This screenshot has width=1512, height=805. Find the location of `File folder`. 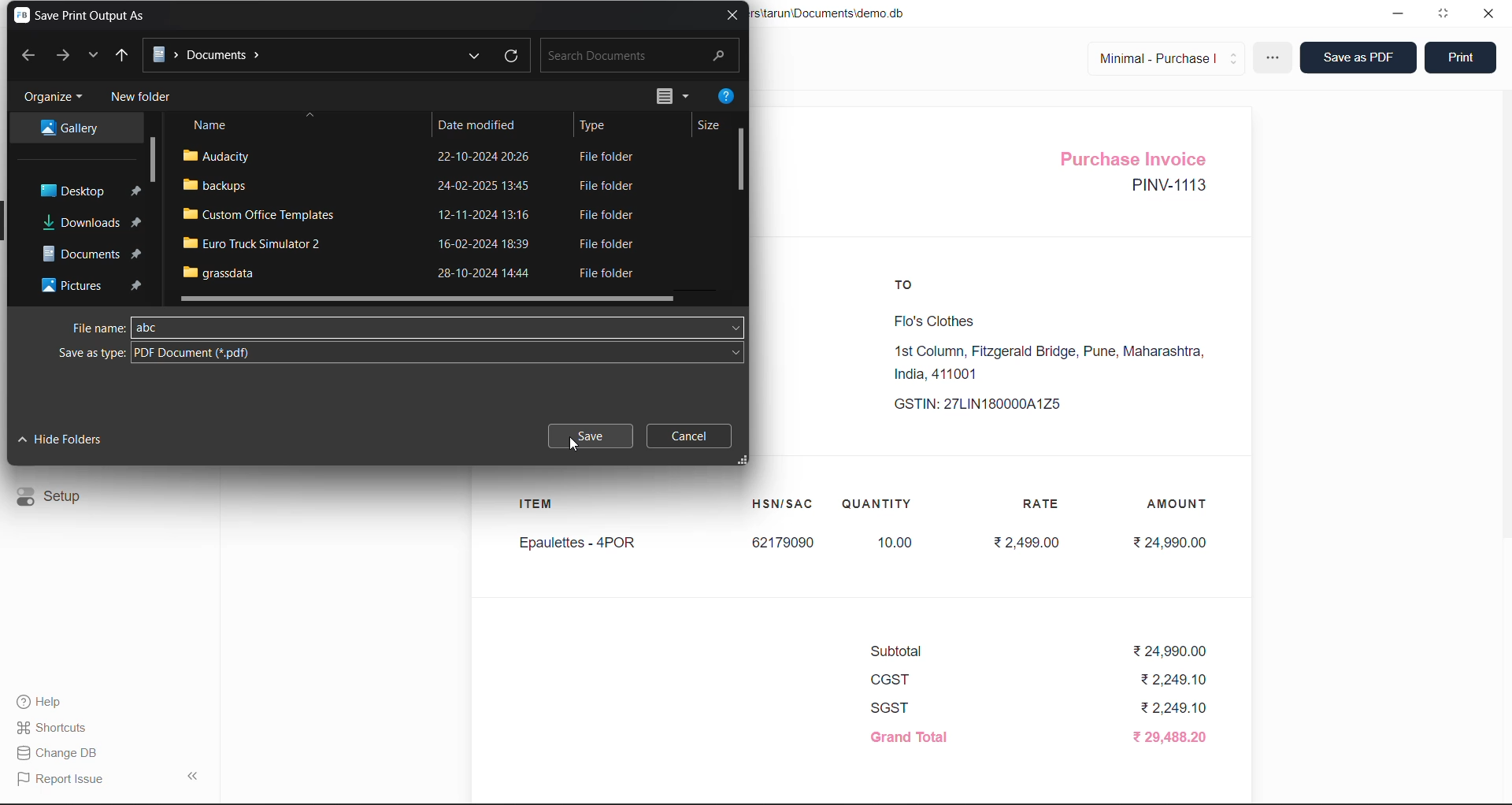

File folder is located at coordinates (609, 158).